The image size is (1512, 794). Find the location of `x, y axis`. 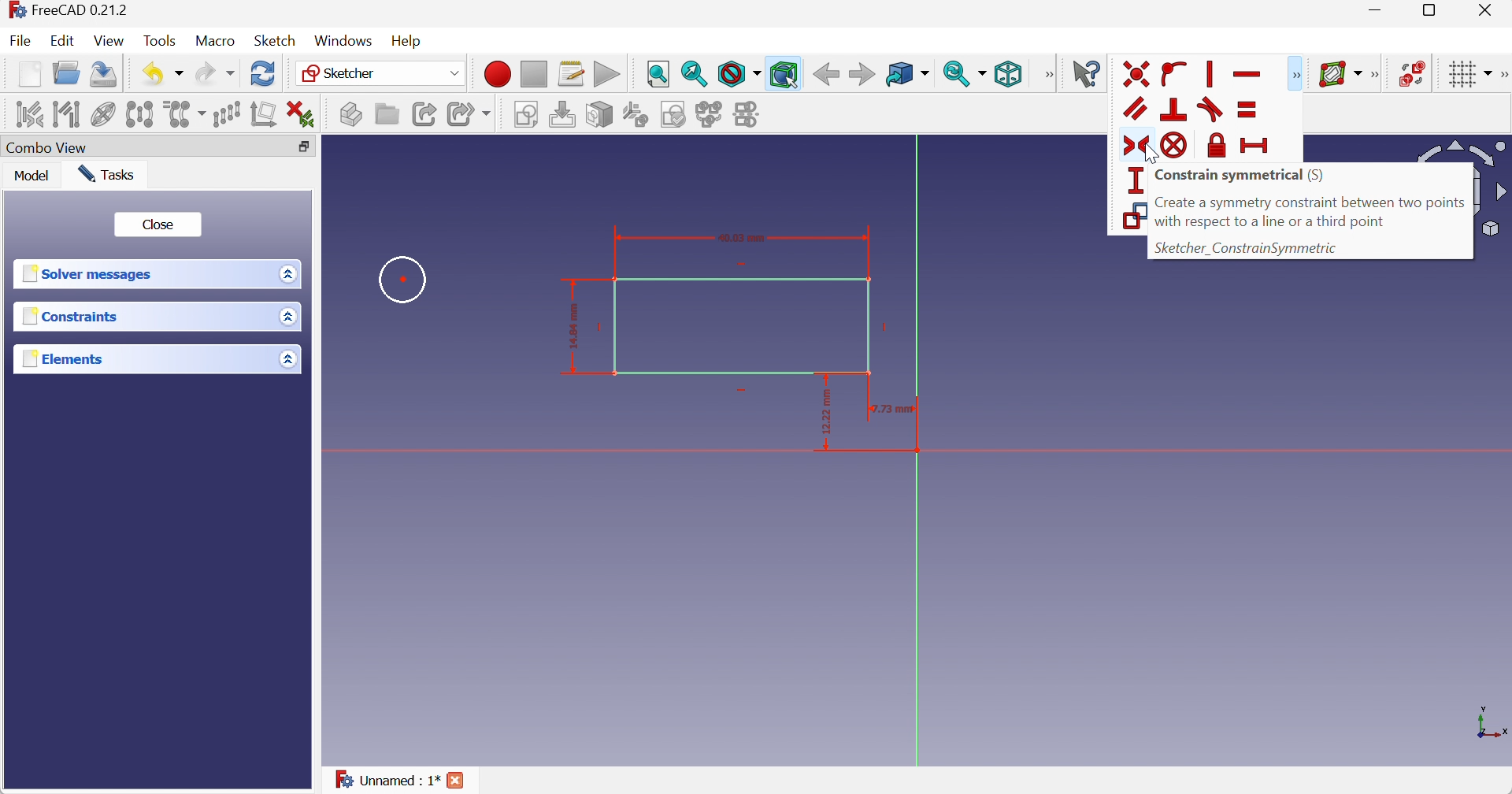

x, y axis is located at coordinates (1489, 721).